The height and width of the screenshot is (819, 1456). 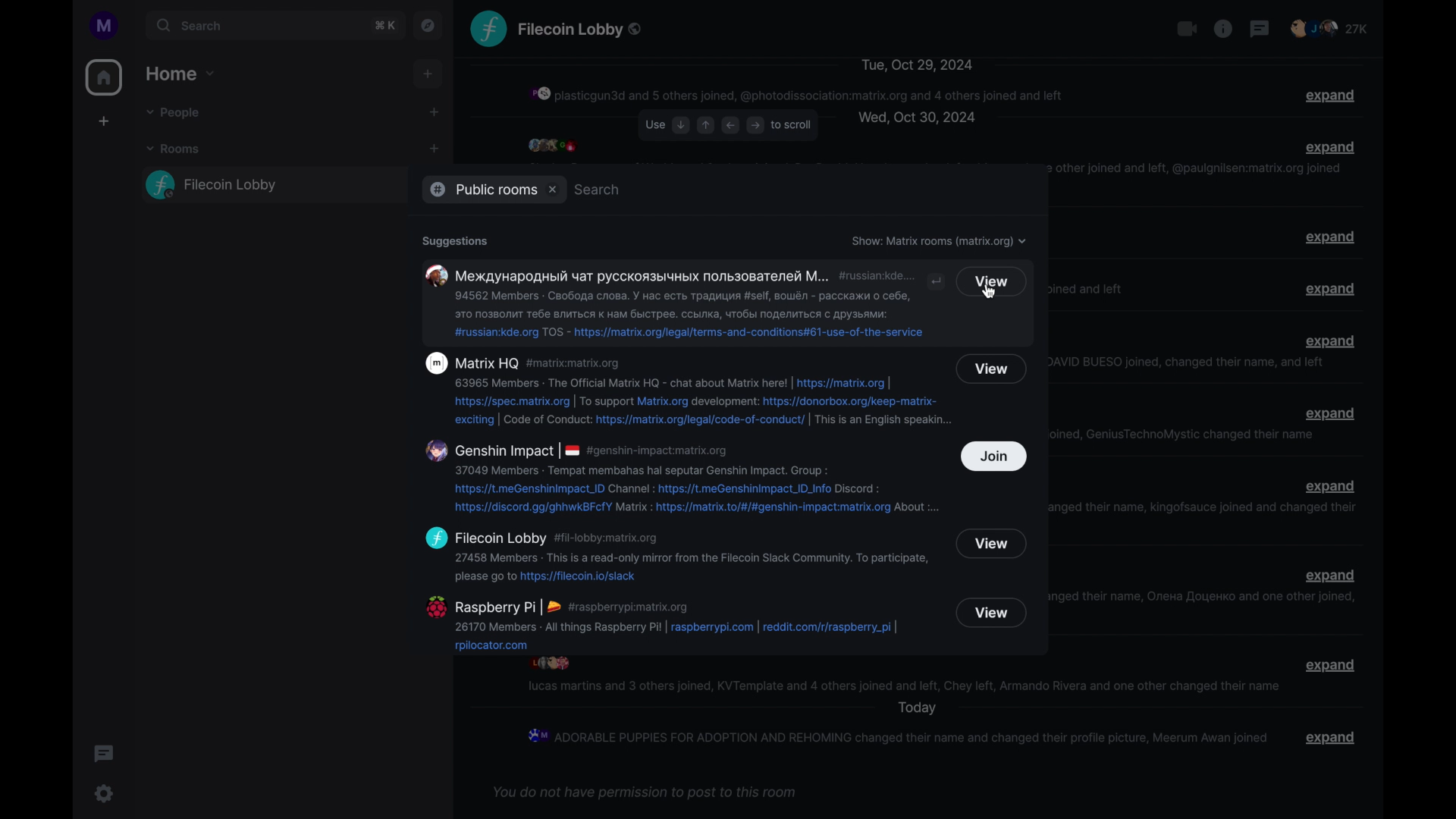 I want to click on Tue, Oct 29, 2024, so click(x=916, y=64).